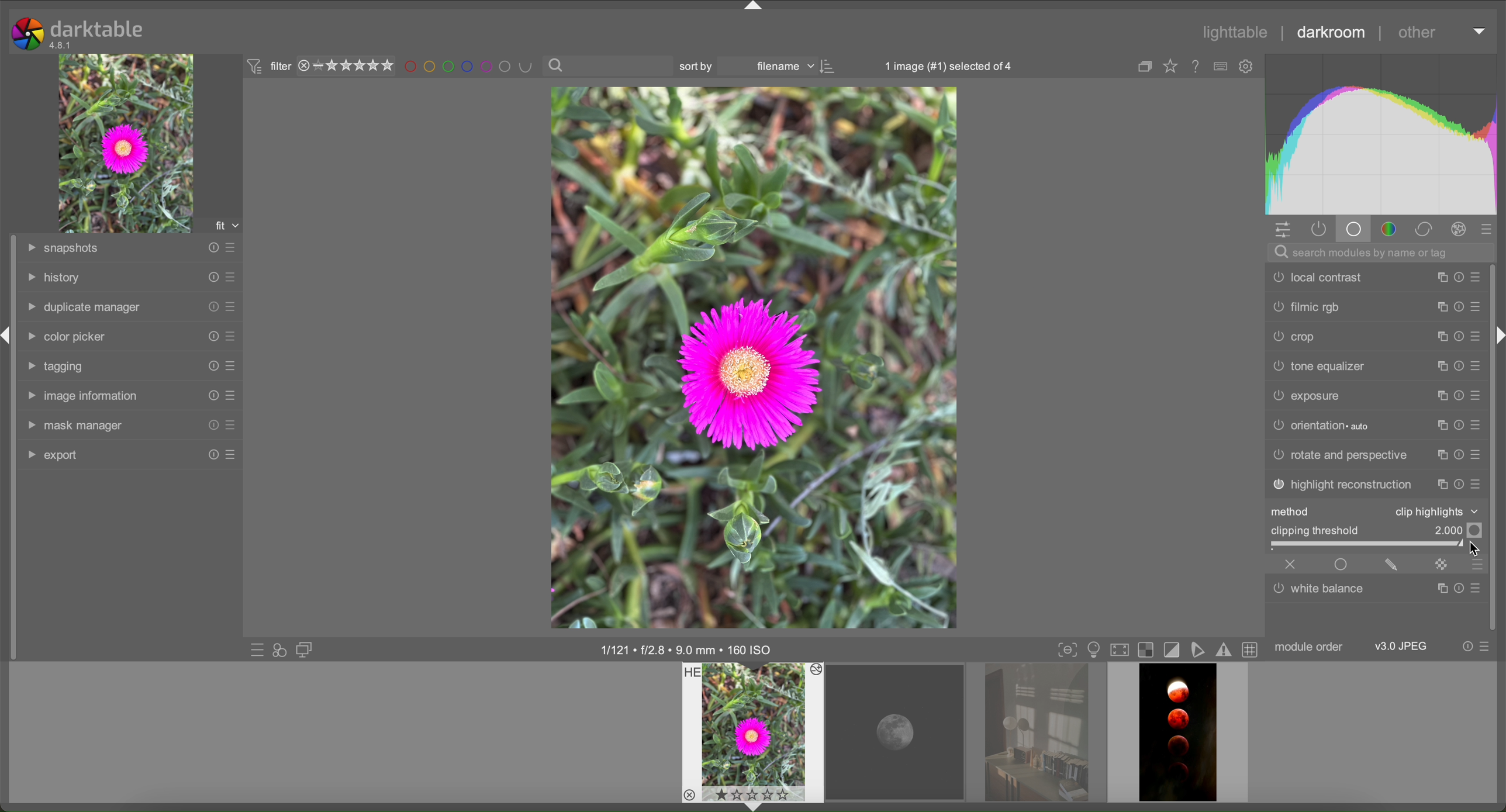 This screenshot has height=812, width=1506. What do you see at coordinates (256, 649) in the screenshot?
I see `quick access to presets` at bounding box center [256, 649].